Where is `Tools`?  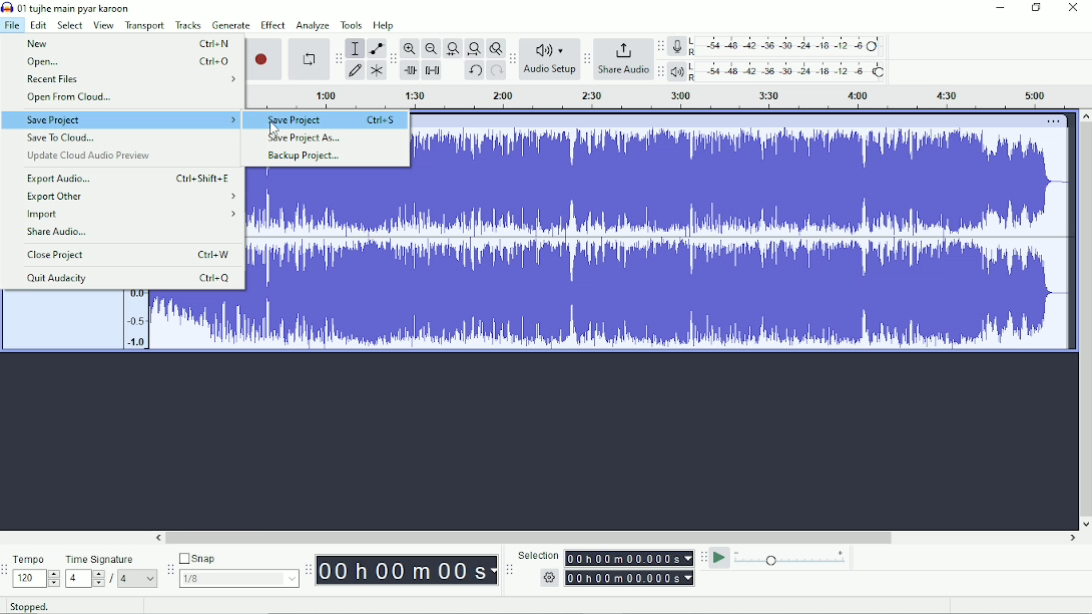 Tools is located at coordinates (352, 25).